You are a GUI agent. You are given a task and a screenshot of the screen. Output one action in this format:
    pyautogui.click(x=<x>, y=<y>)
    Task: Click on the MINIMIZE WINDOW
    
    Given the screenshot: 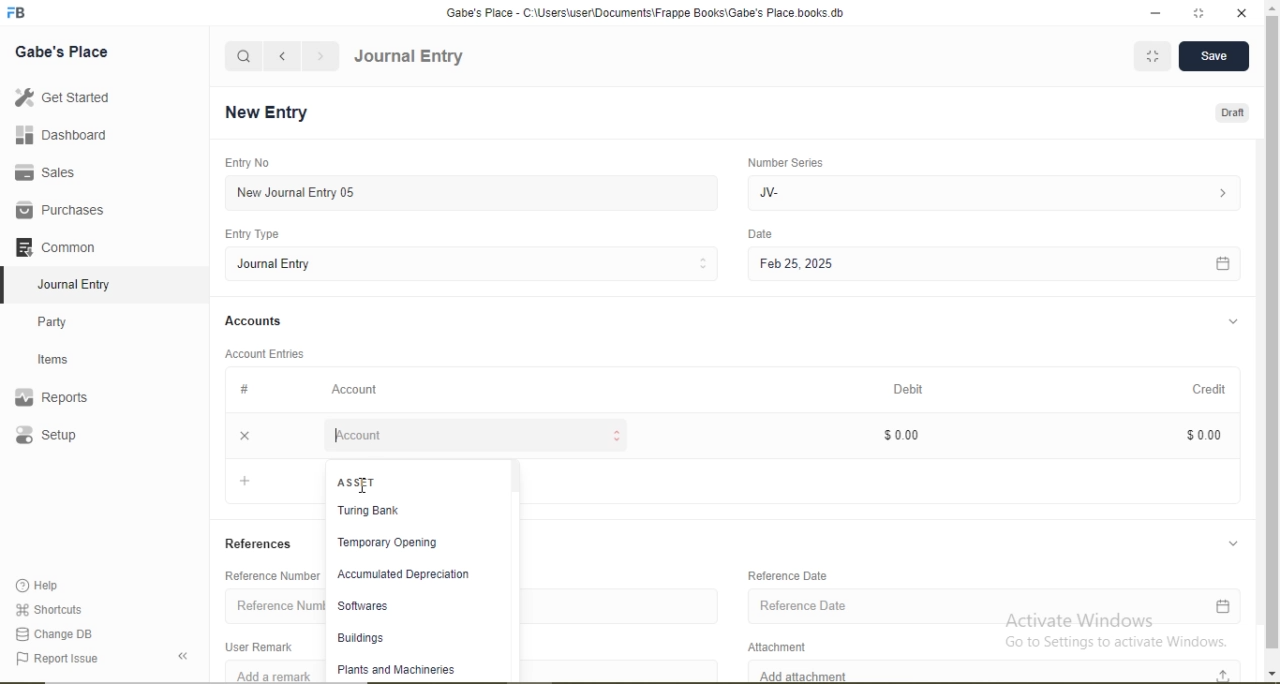 What is the action you would take?
    pyautogui.click(x=1155, y=57)
    